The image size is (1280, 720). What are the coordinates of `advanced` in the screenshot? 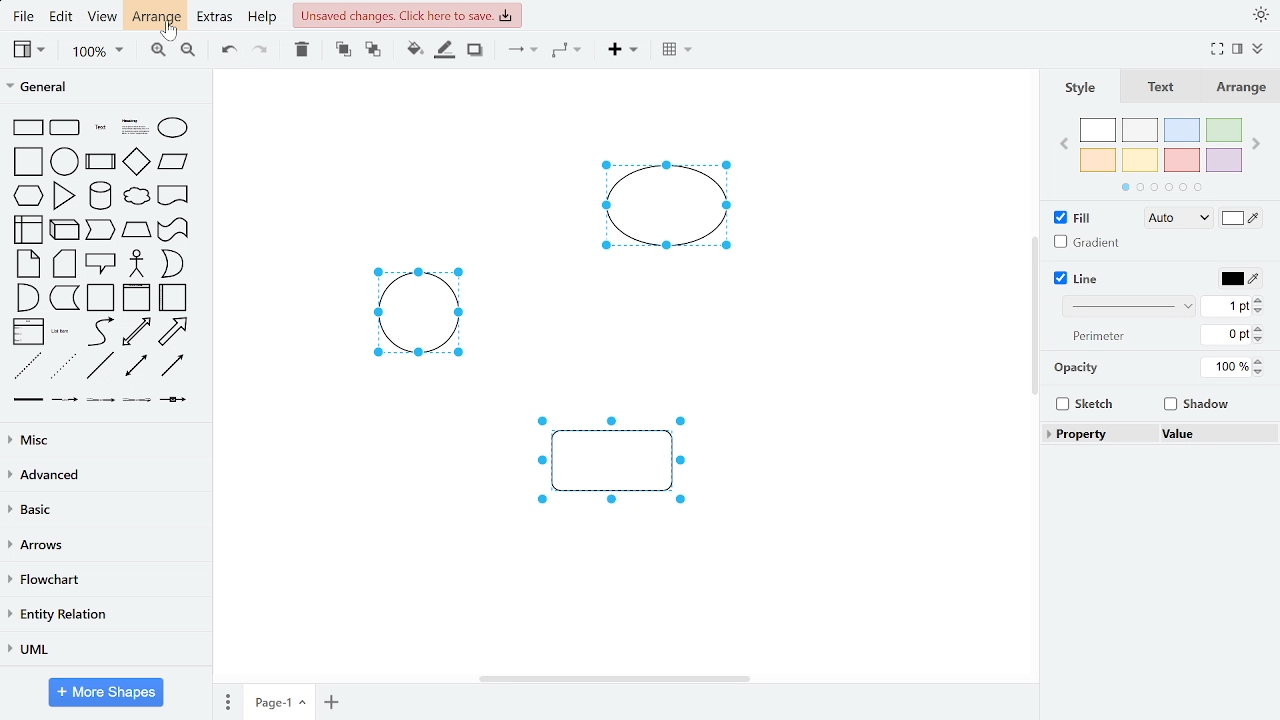 It's located at (102, 475).